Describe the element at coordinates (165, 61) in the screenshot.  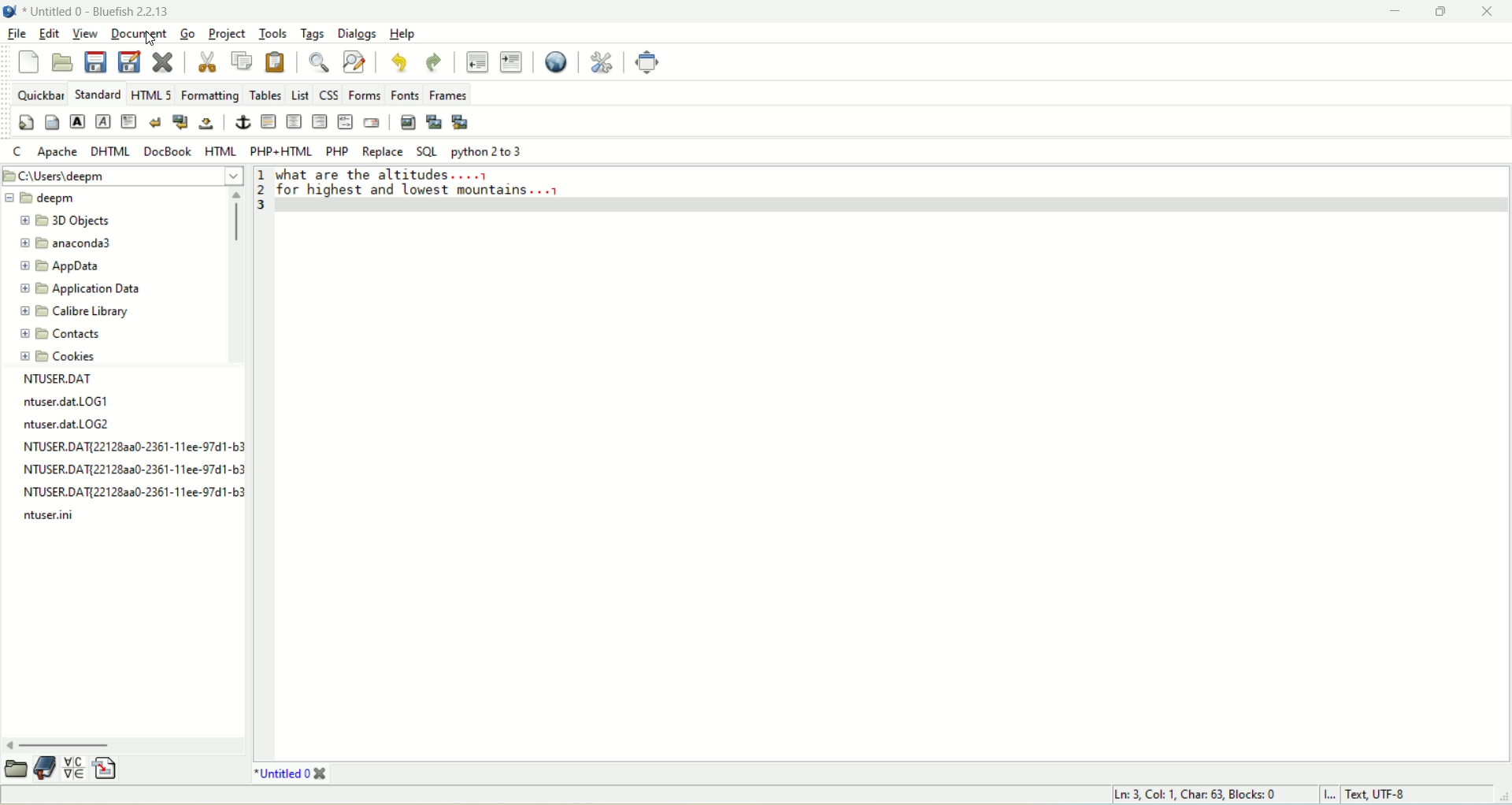
I see `close current file` at that location.